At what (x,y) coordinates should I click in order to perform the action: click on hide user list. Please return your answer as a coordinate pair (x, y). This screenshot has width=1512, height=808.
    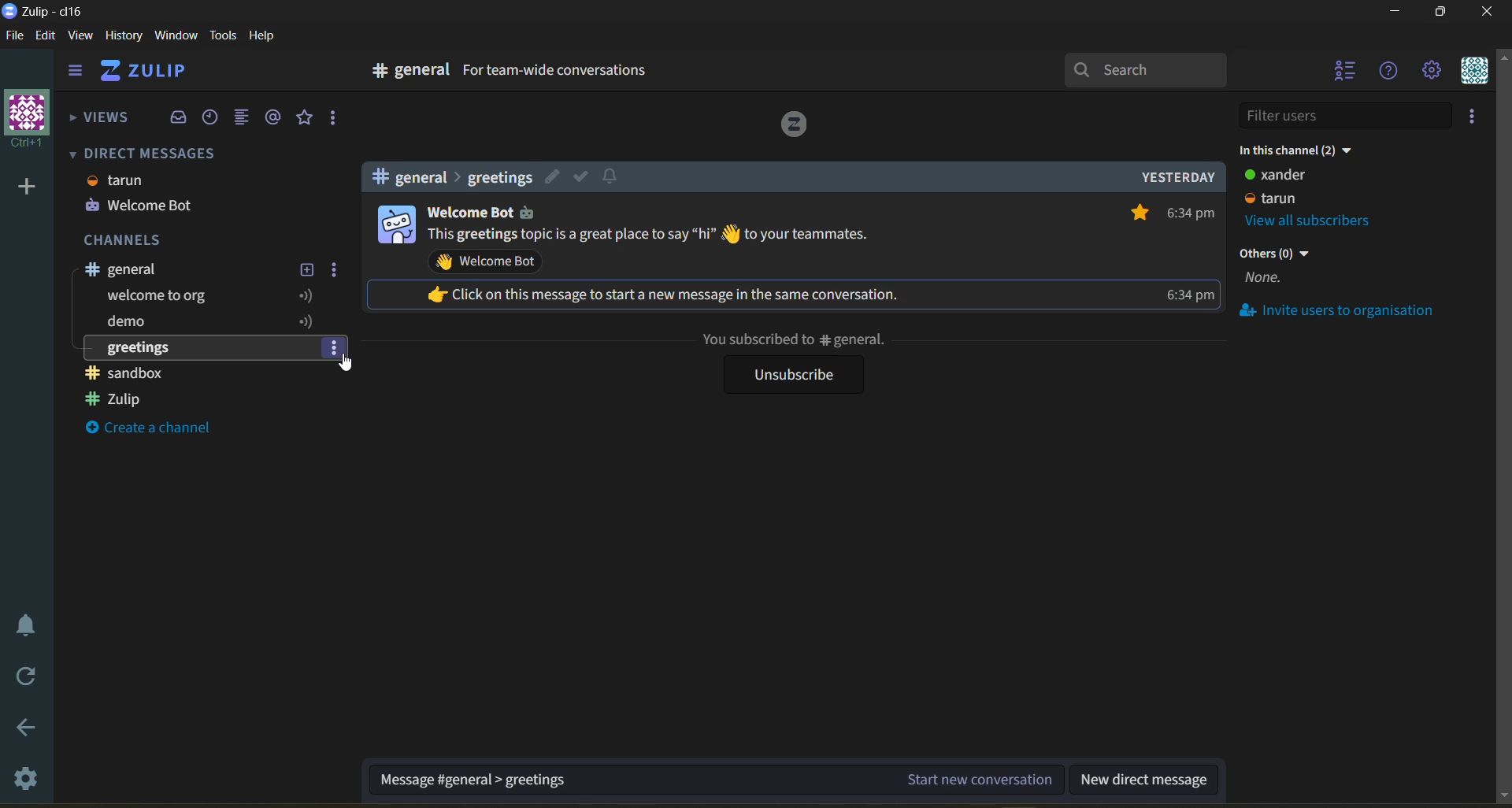
    Looking at the image, I should click on (1346, 72).